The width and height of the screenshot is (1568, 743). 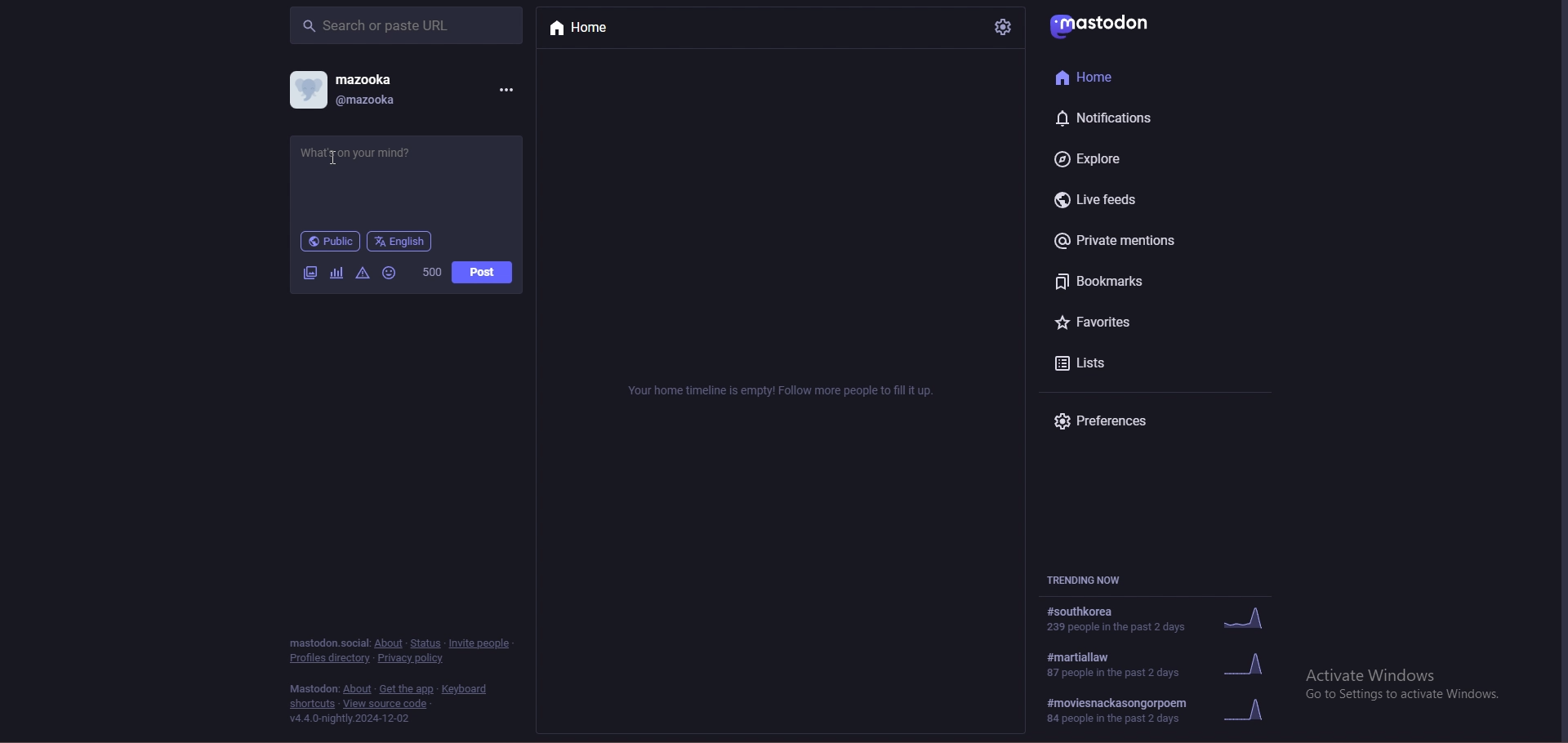 What do you see at coordinates (1126, 281) in the screenshot?
I see `bookmarks` at bounding box center [1126, 281].